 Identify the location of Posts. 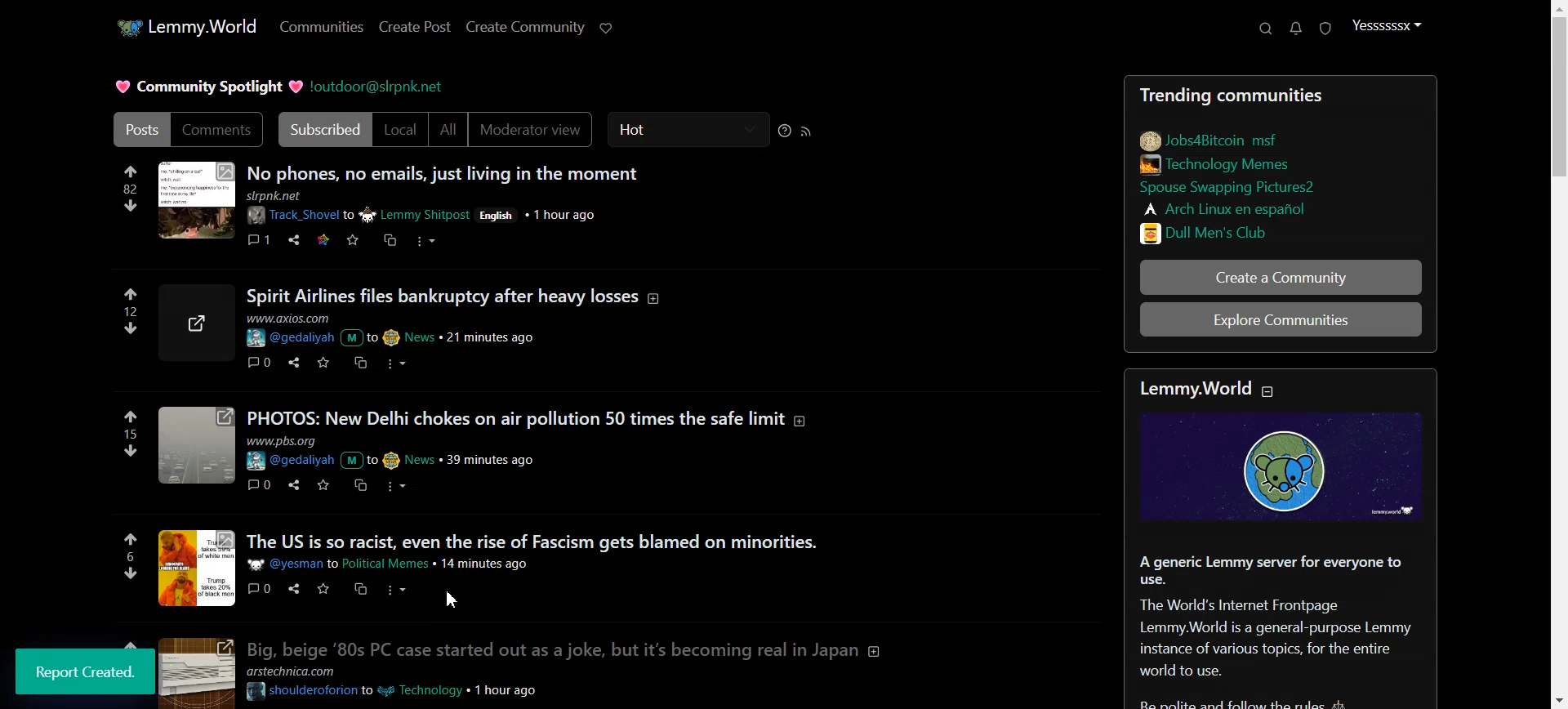
(444, 170).